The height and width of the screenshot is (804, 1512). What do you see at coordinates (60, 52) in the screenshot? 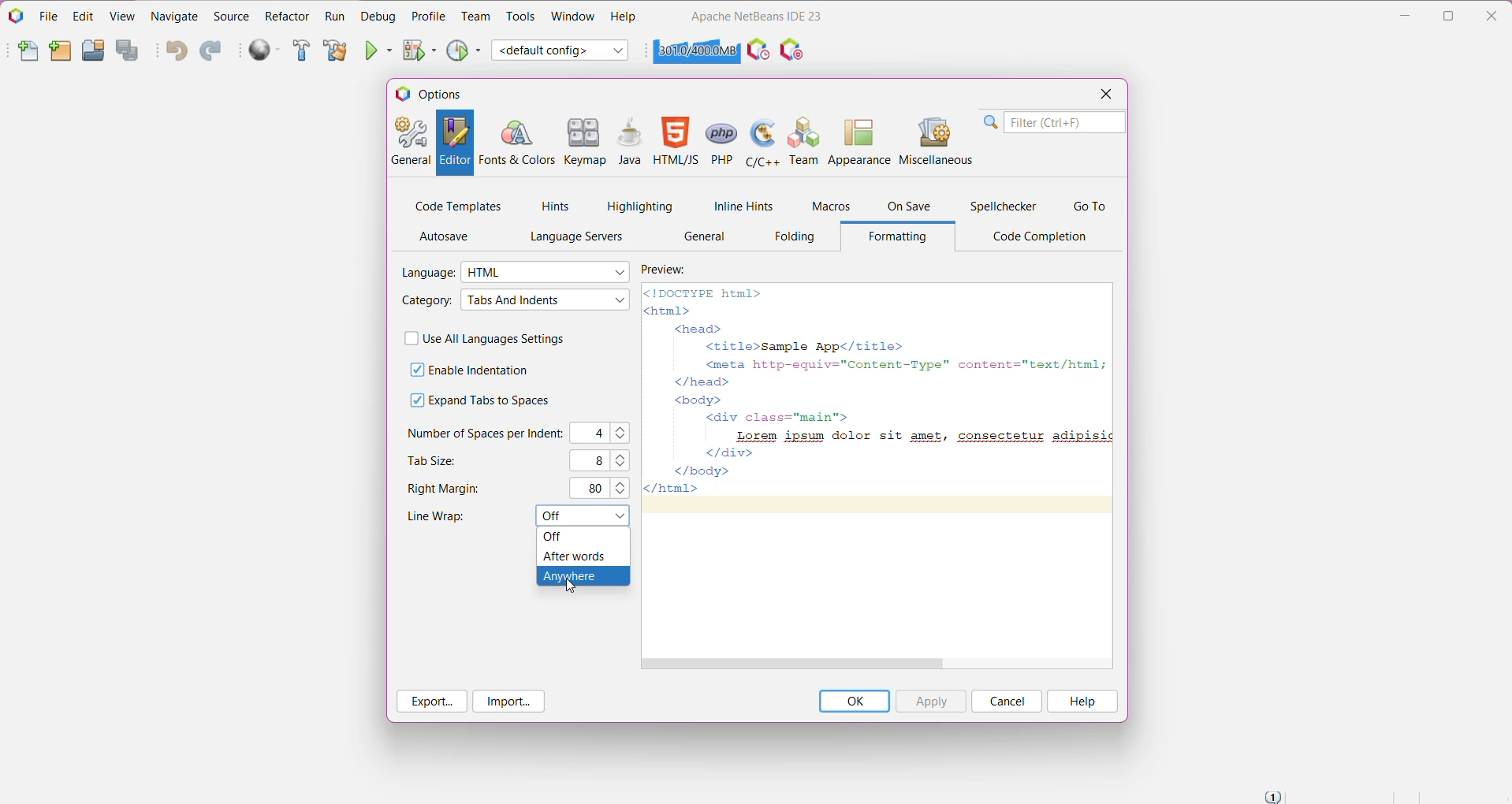
I see `New Project` at bounding box center [60, 52].